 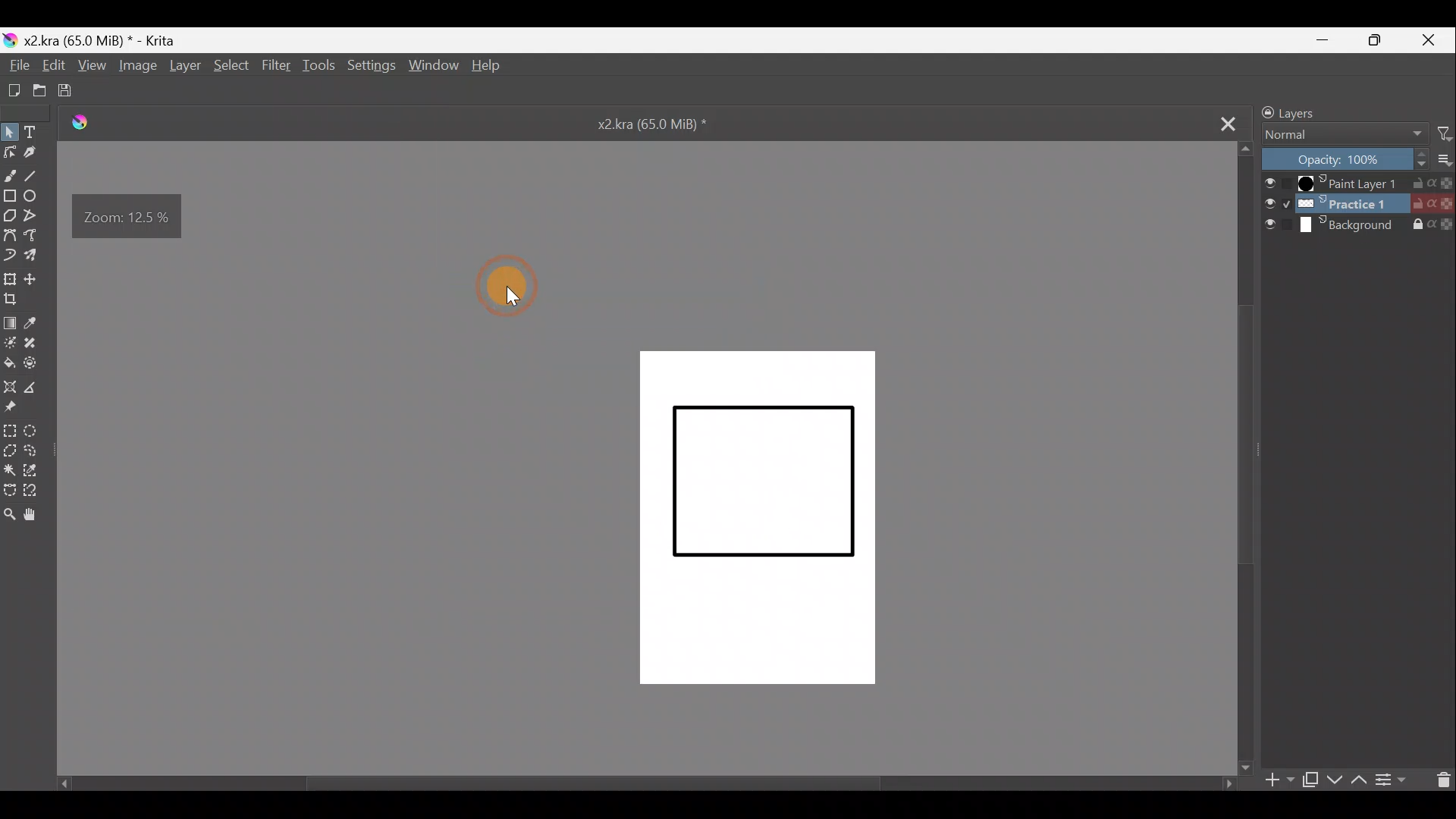 What do you see at coordinates (35, 215) in the screenshot?
I see `Polyline tool` at bounding box center [35, 215].